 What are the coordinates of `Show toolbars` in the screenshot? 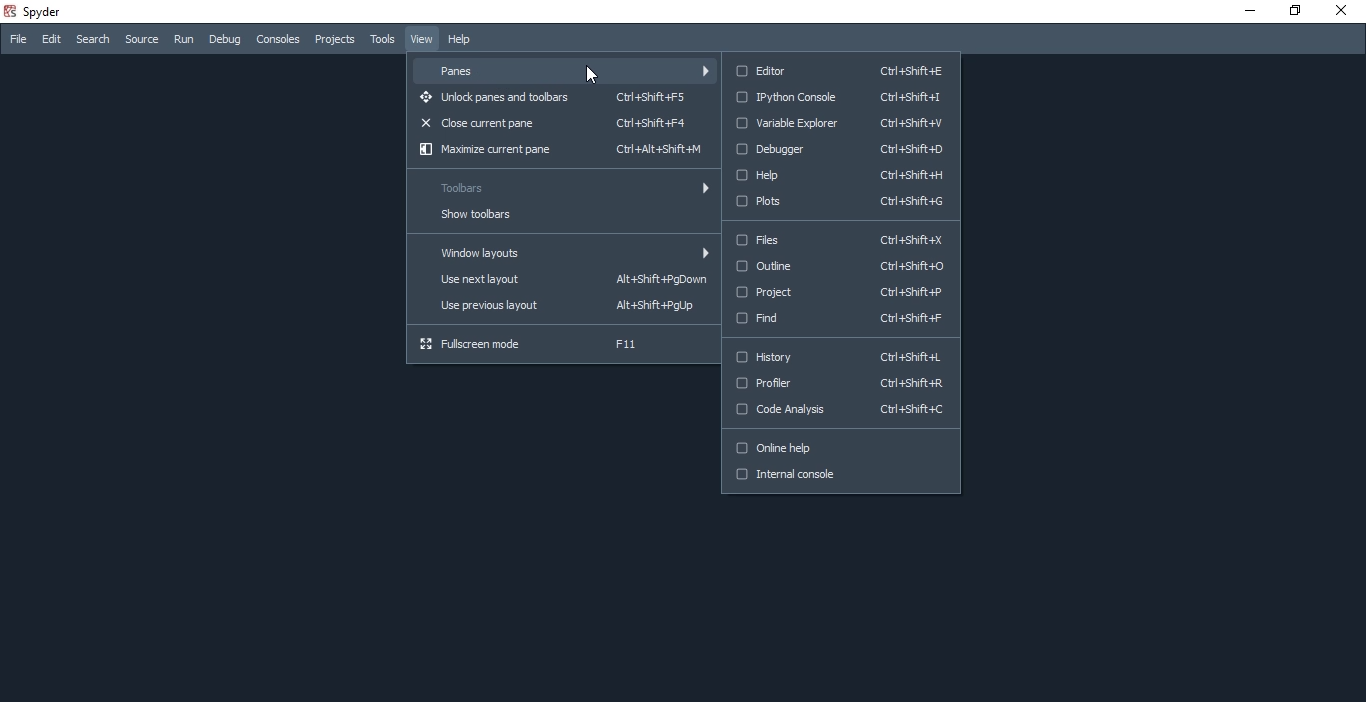 It's located at (561, 216).